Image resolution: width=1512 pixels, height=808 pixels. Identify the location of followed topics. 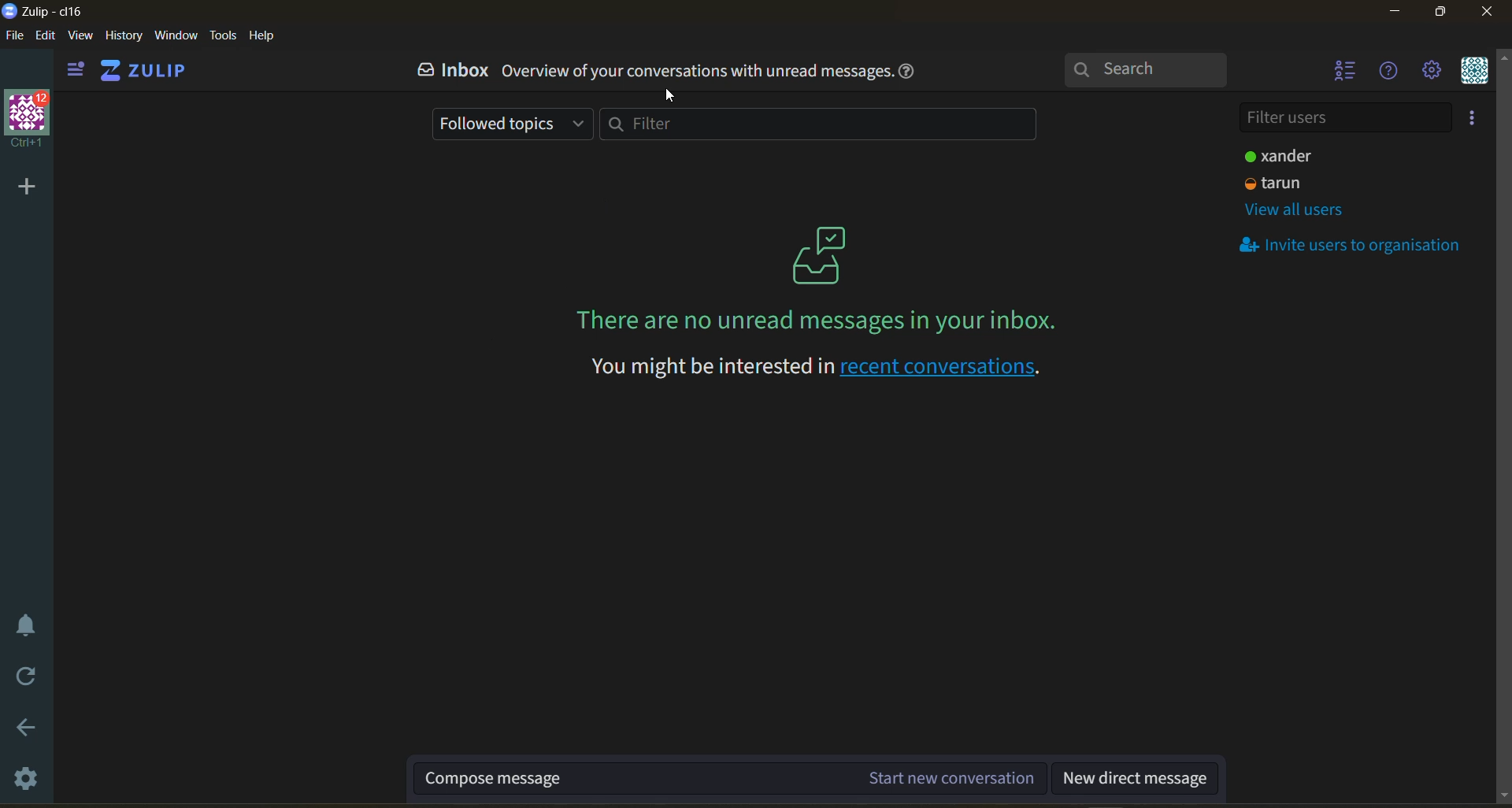
(510, 122).